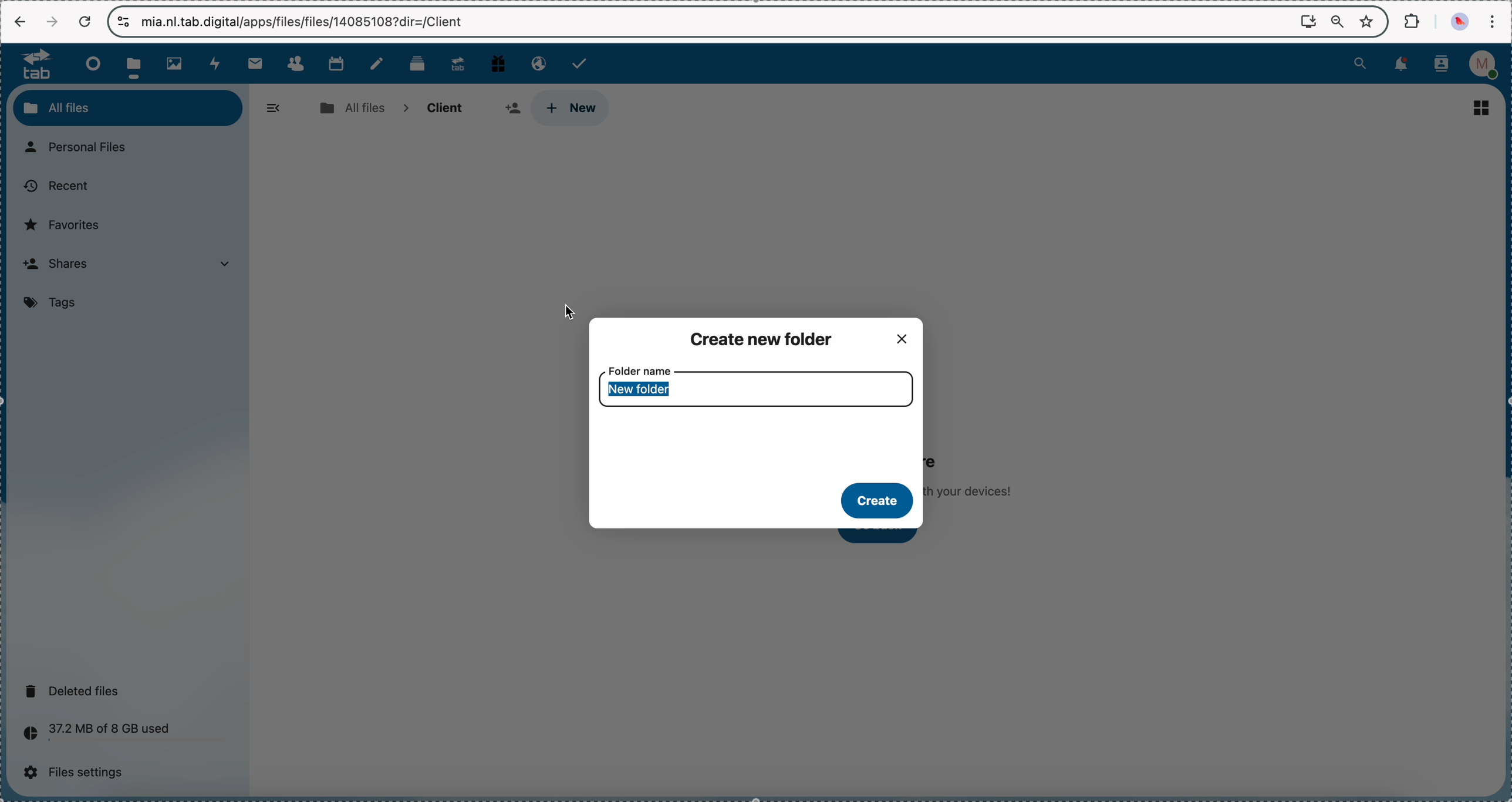 Image resolution: width=1512 pixels, height=802 pixels. I want to click on share, so click(512, 107).